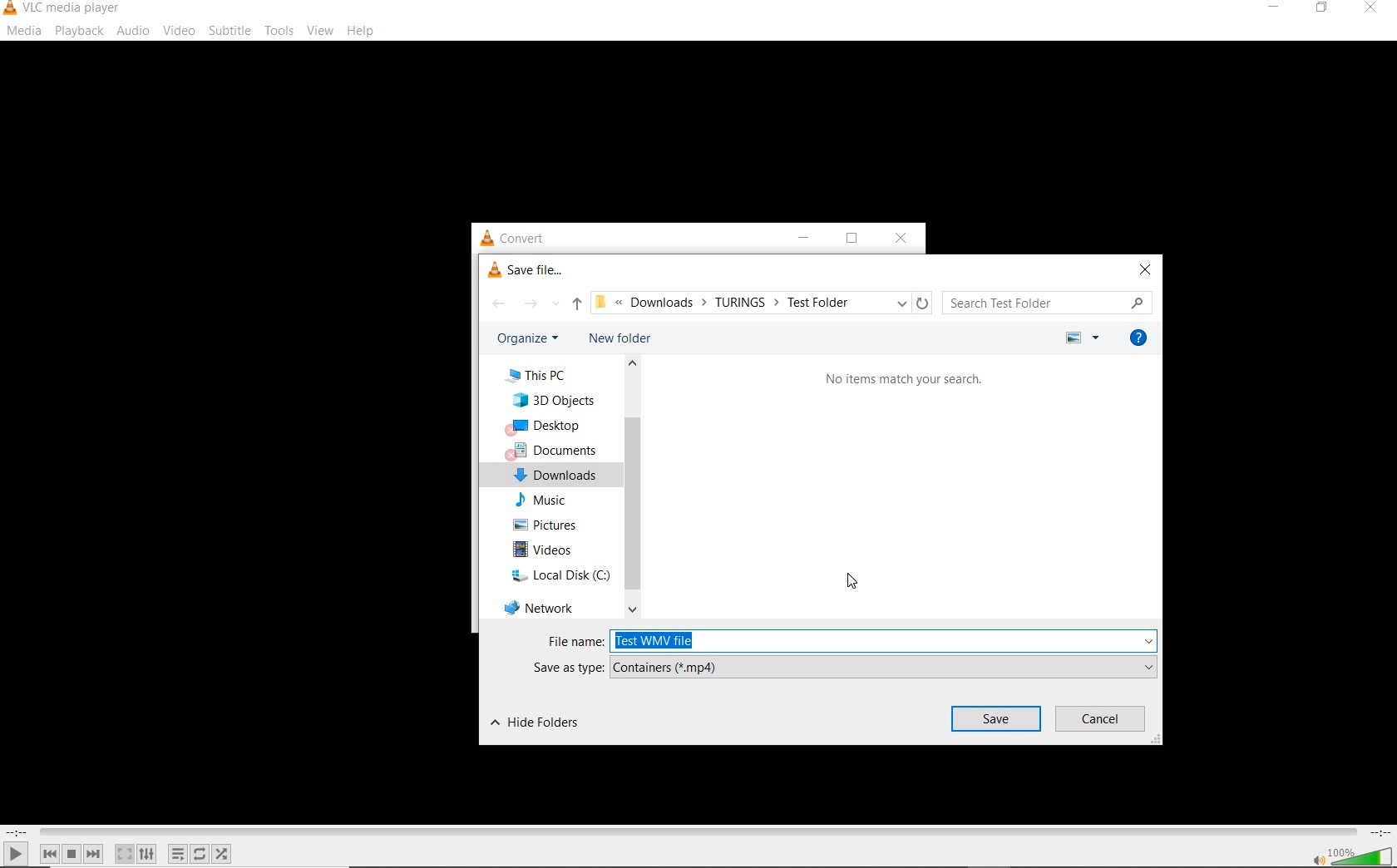 The width and height of the screenshot is (1397, 868). Describe the element at coordinates (842, 667) in the screenshot. I see `SAVE AS TYPE: (*.mp4)` at that location.